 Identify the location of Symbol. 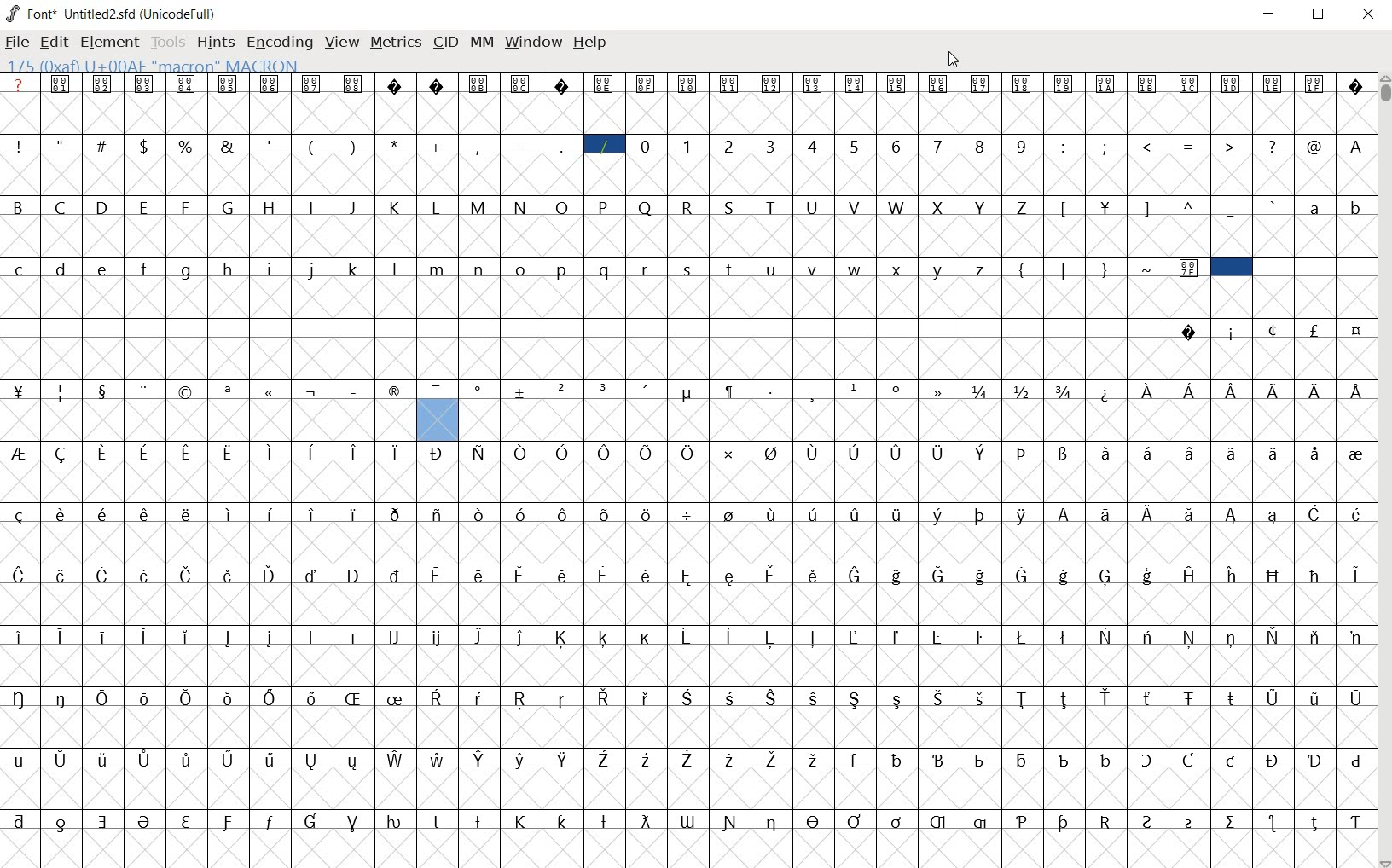
(1022, 759).